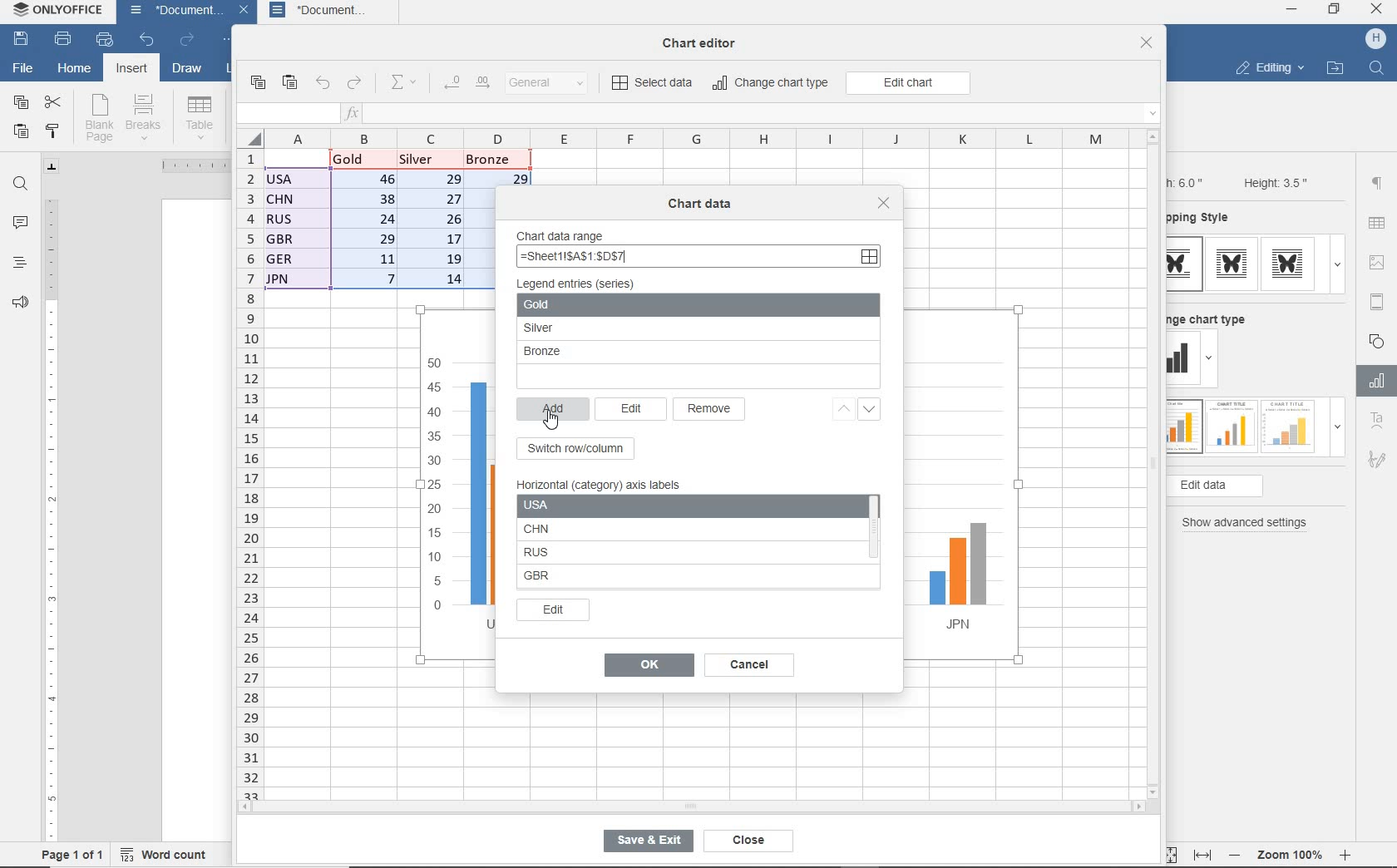  What do you see at coordinates (753, 114) in the screenshot?
I see `insert function` at bounding box center [753, 114].